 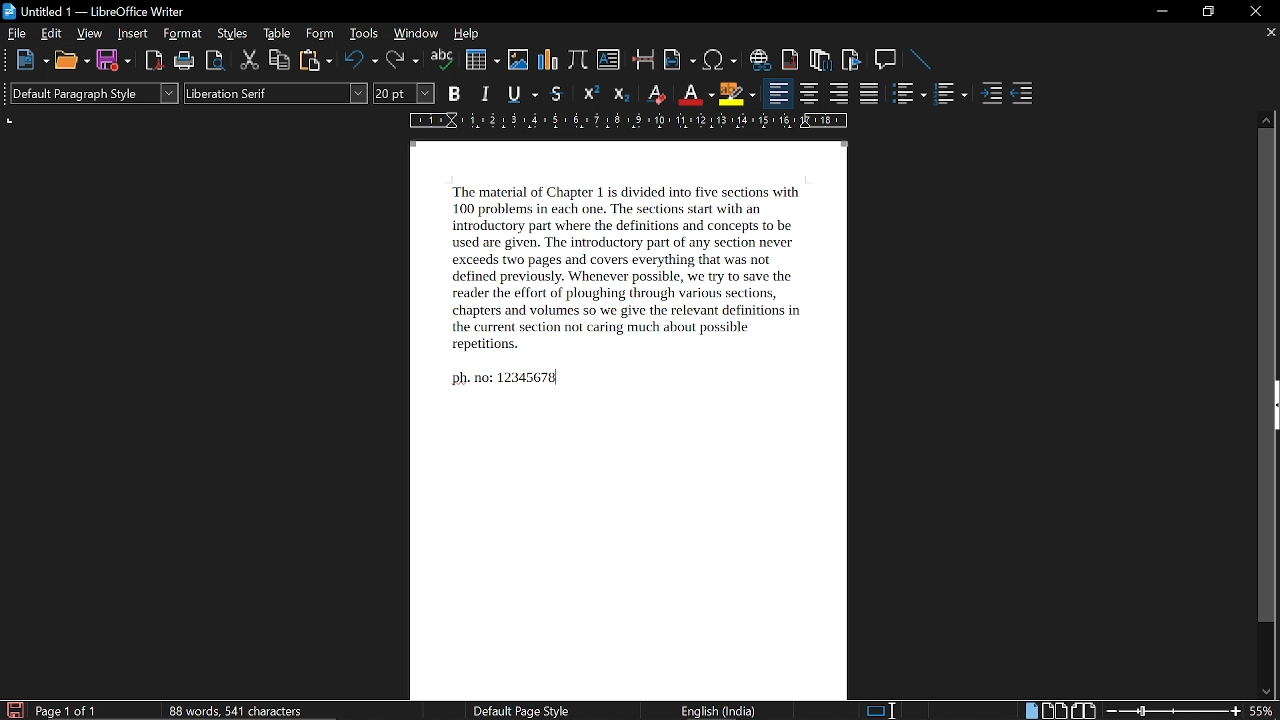 What do you see at coordinates (850, 61) in the screenshot?
I see `insert bibliography` at bounding box center [850, 61].